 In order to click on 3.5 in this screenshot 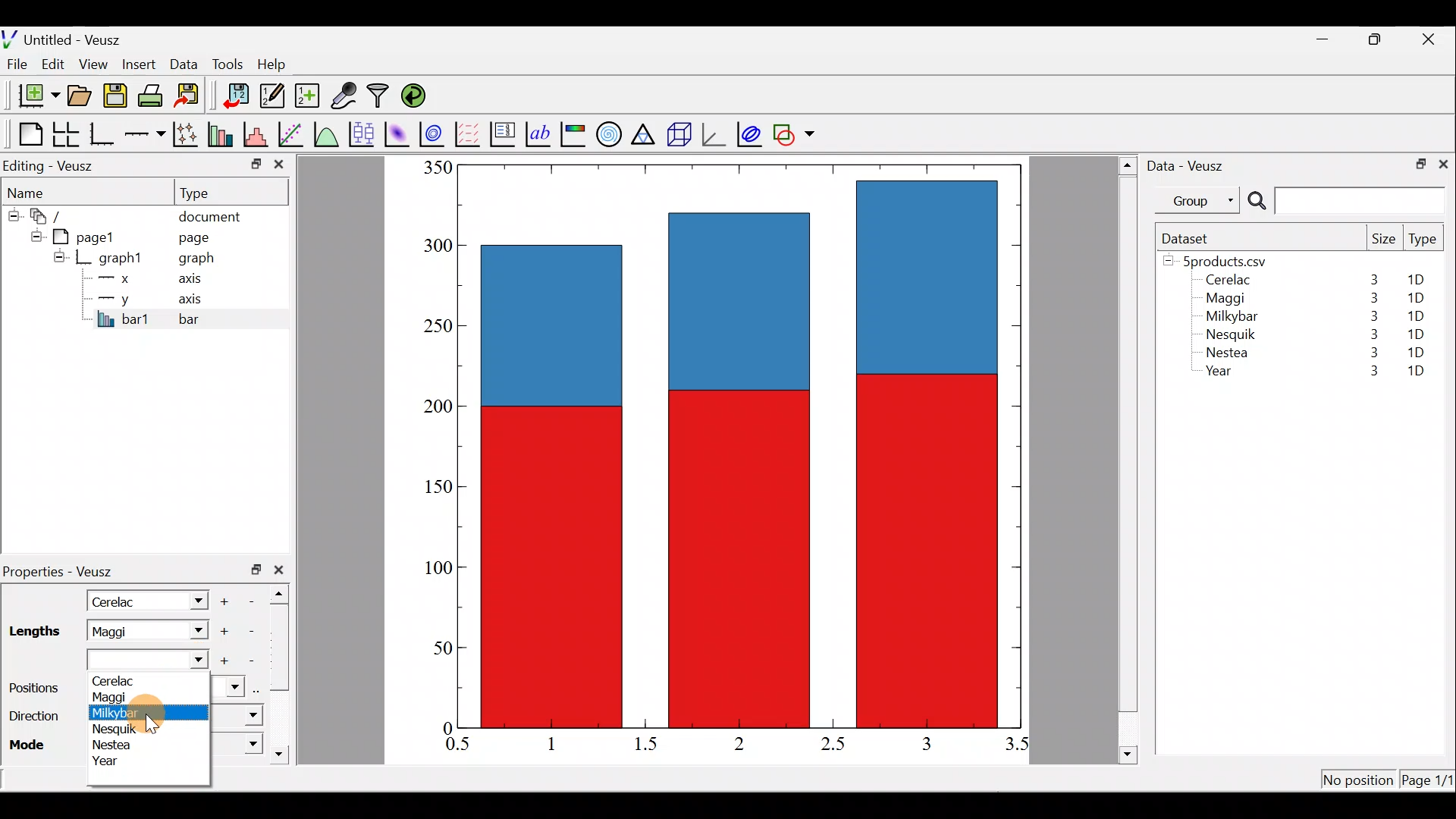, I will do `click(1018, 747)`.